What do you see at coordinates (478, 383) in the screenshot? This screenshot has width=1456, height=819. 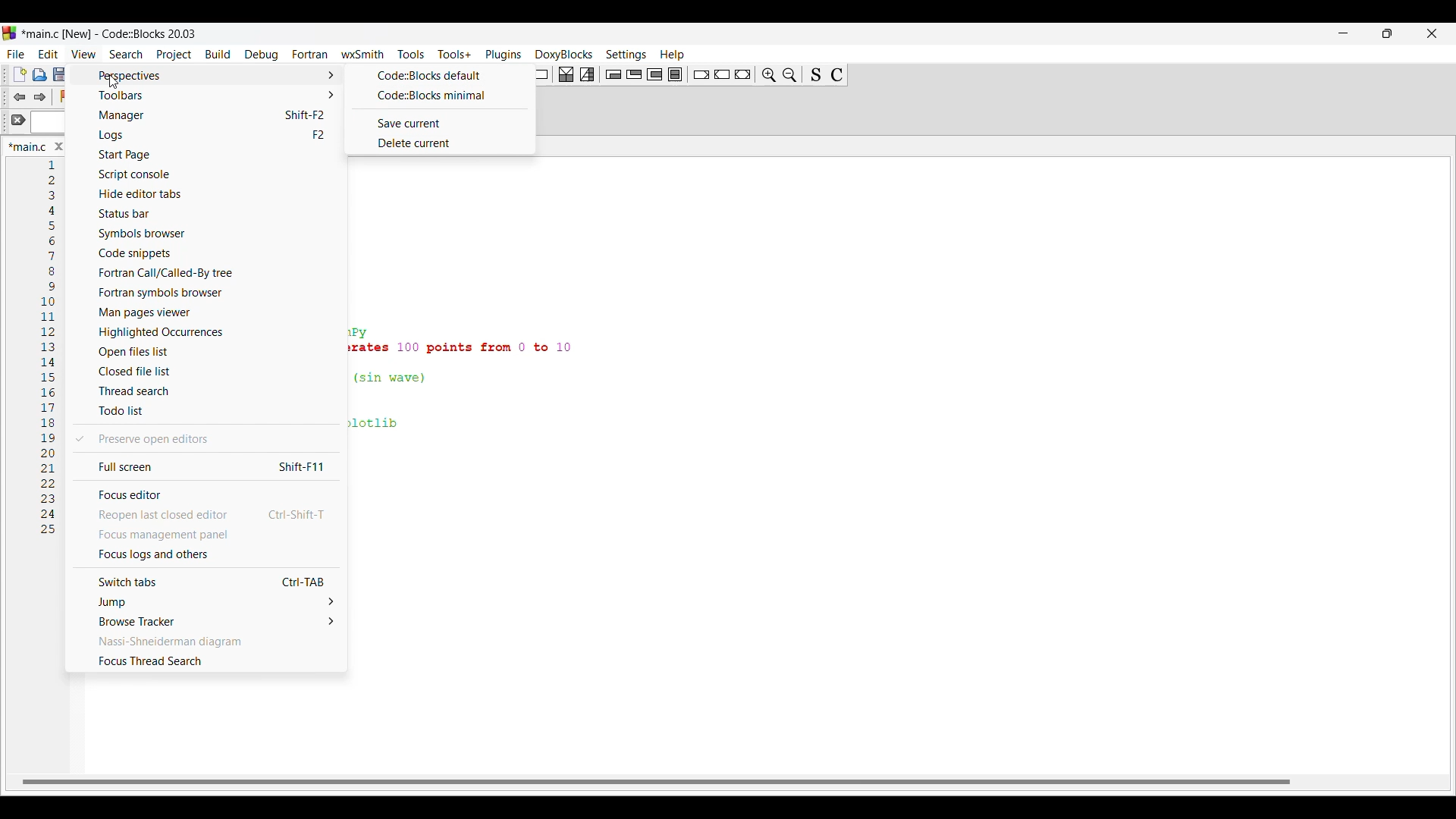 I see `y

ates 100 points from 0 to 10
sin wave)

otlib` at bounding box center [478, 383].